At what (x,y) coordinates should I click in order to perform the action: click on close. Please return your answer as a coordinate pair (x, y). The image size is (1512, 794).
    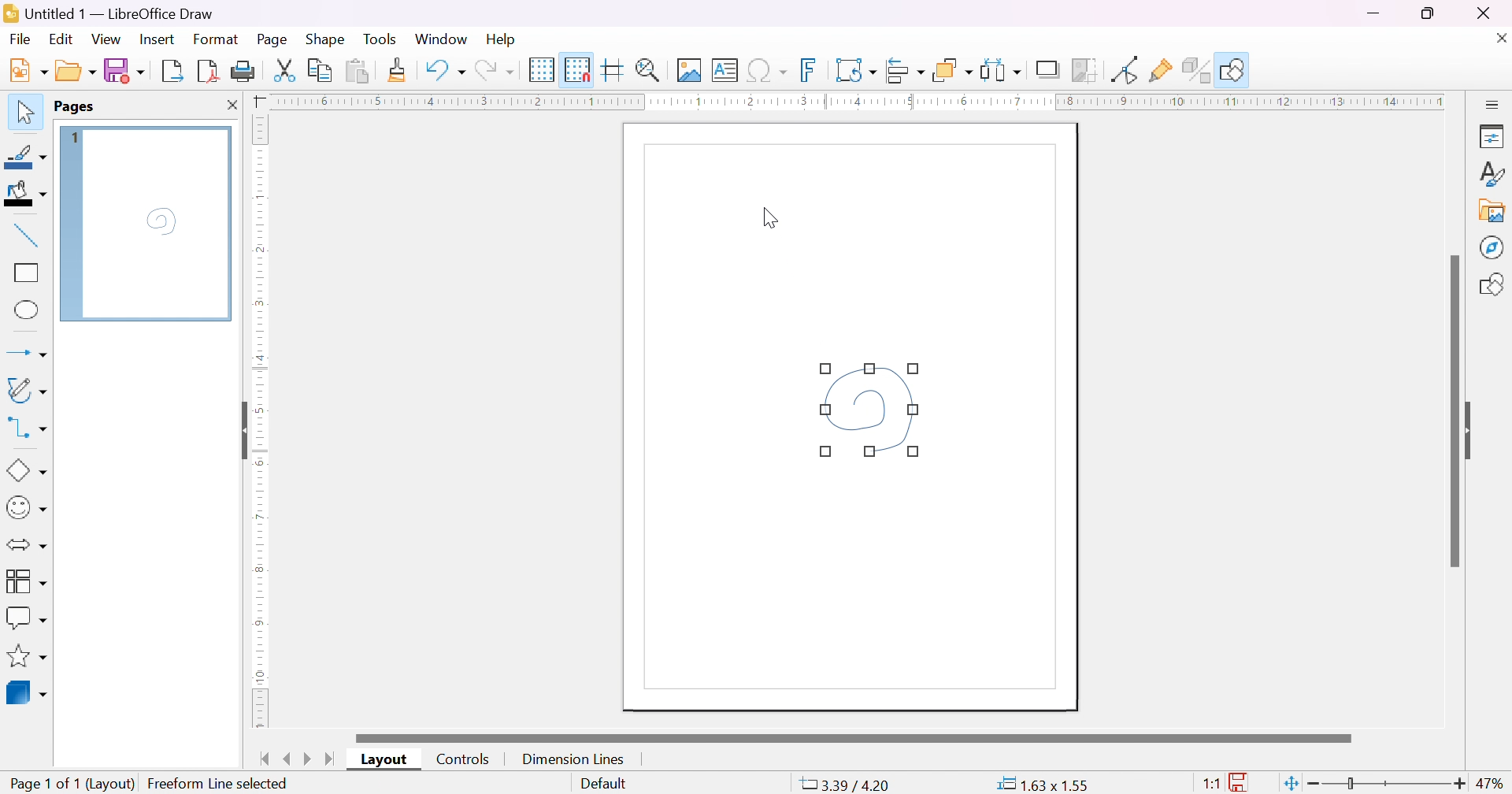
    Looking at the image, I should click on (1503, 38).